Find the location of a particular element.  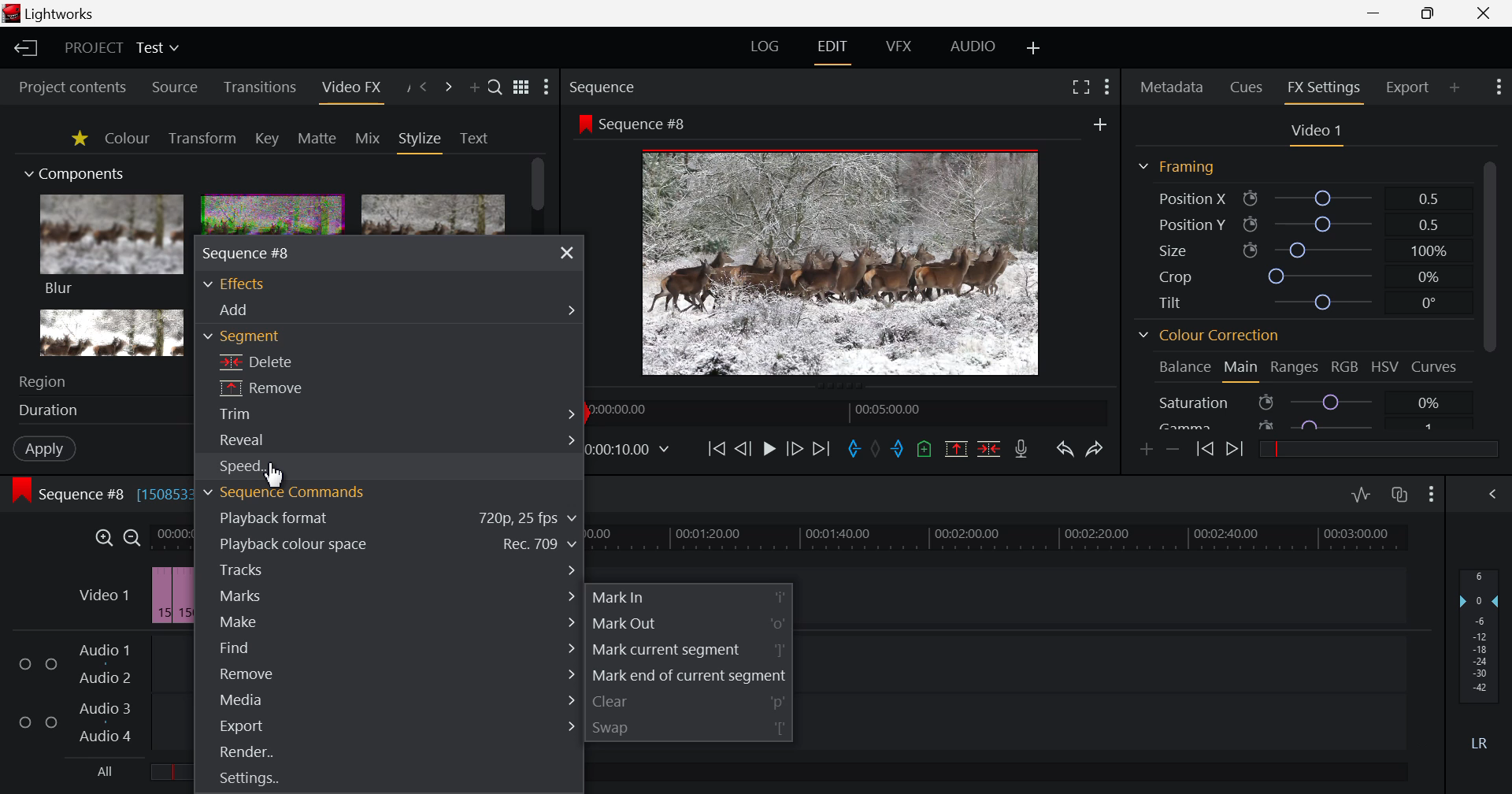

Main Tab Open is located at coordinates (1240, 369).